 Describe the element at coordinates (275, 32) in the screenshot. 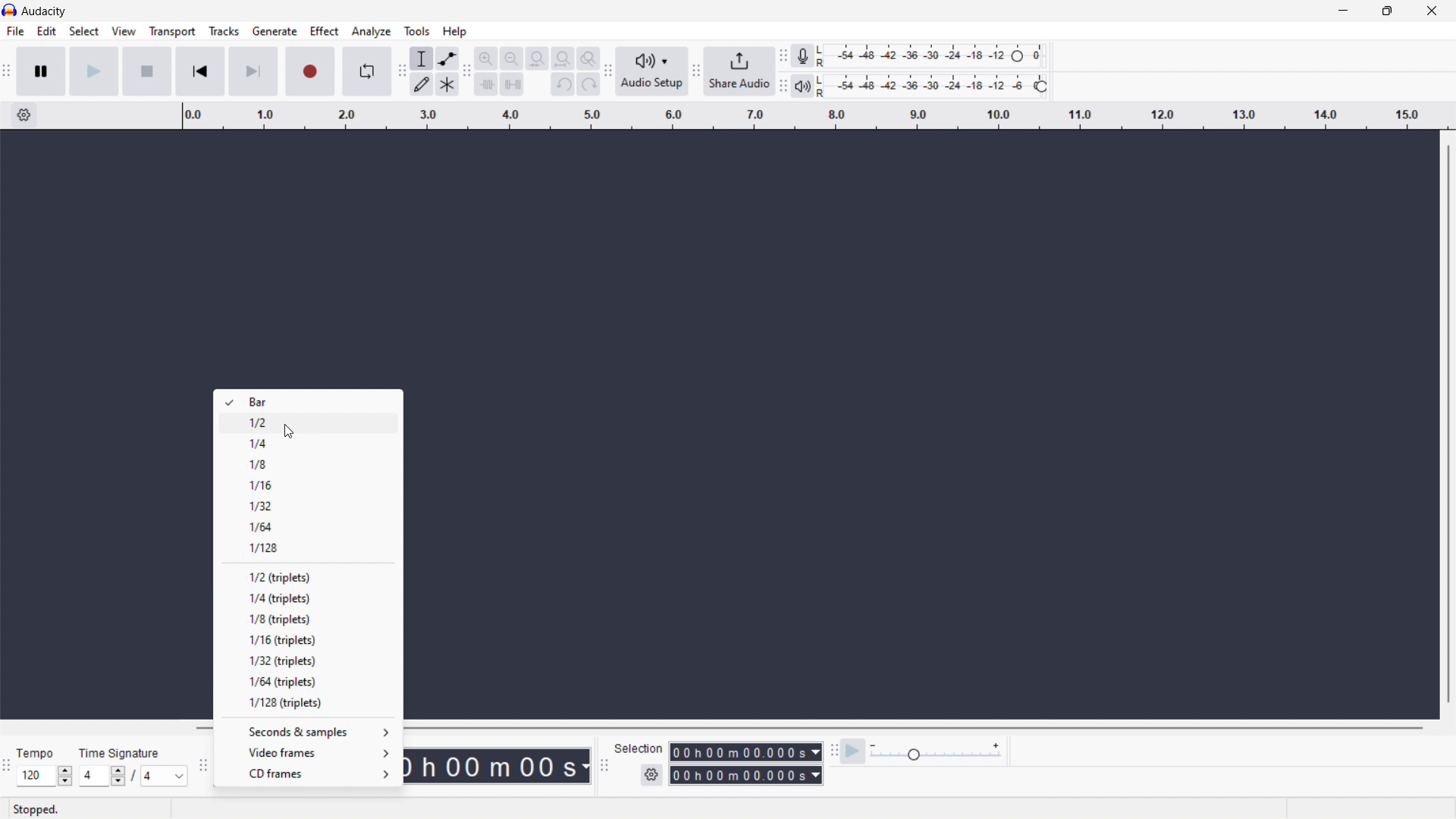

I see `generate` at that location.